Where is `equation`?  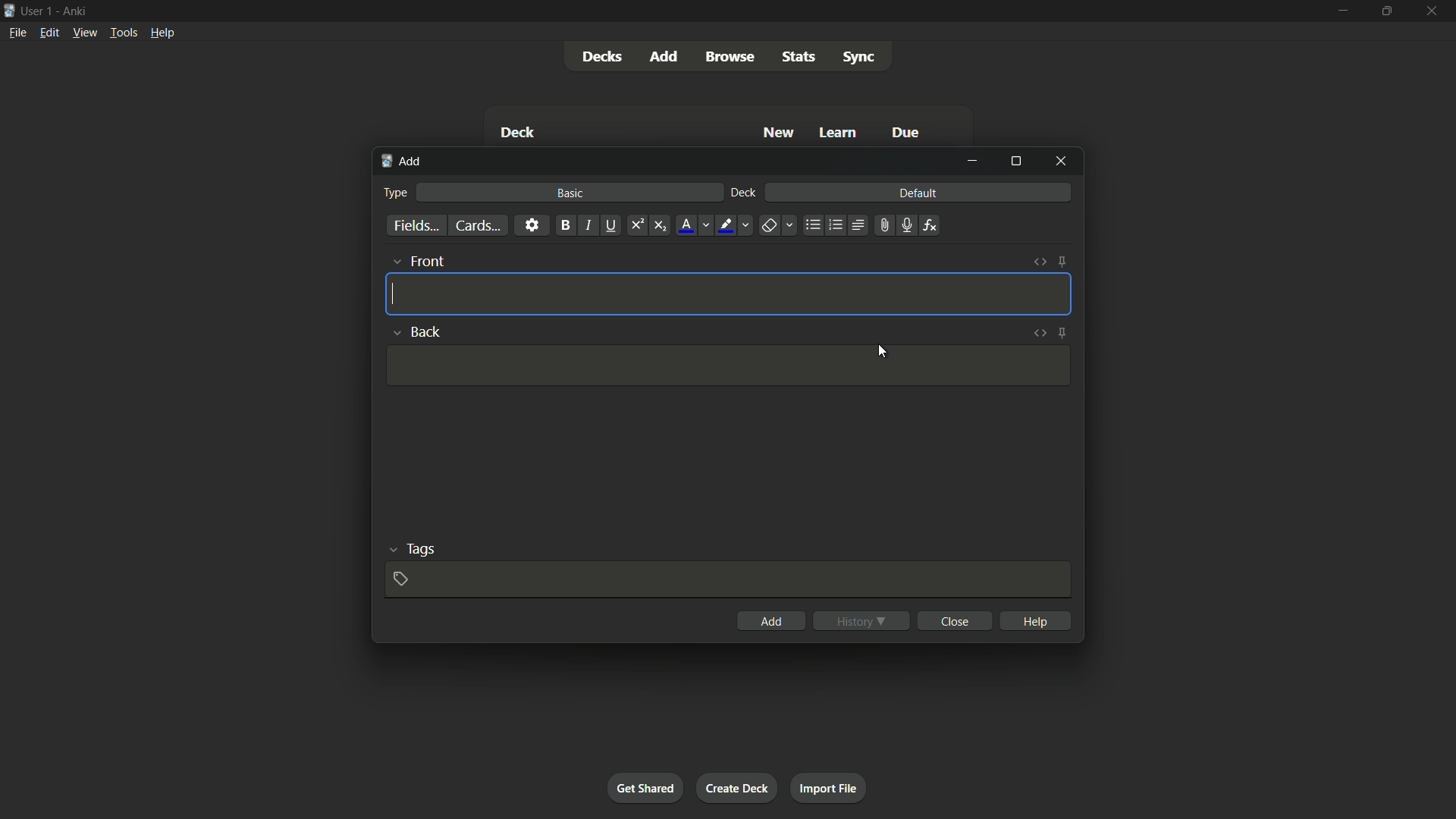
equation is located at coordinates (930, 224).